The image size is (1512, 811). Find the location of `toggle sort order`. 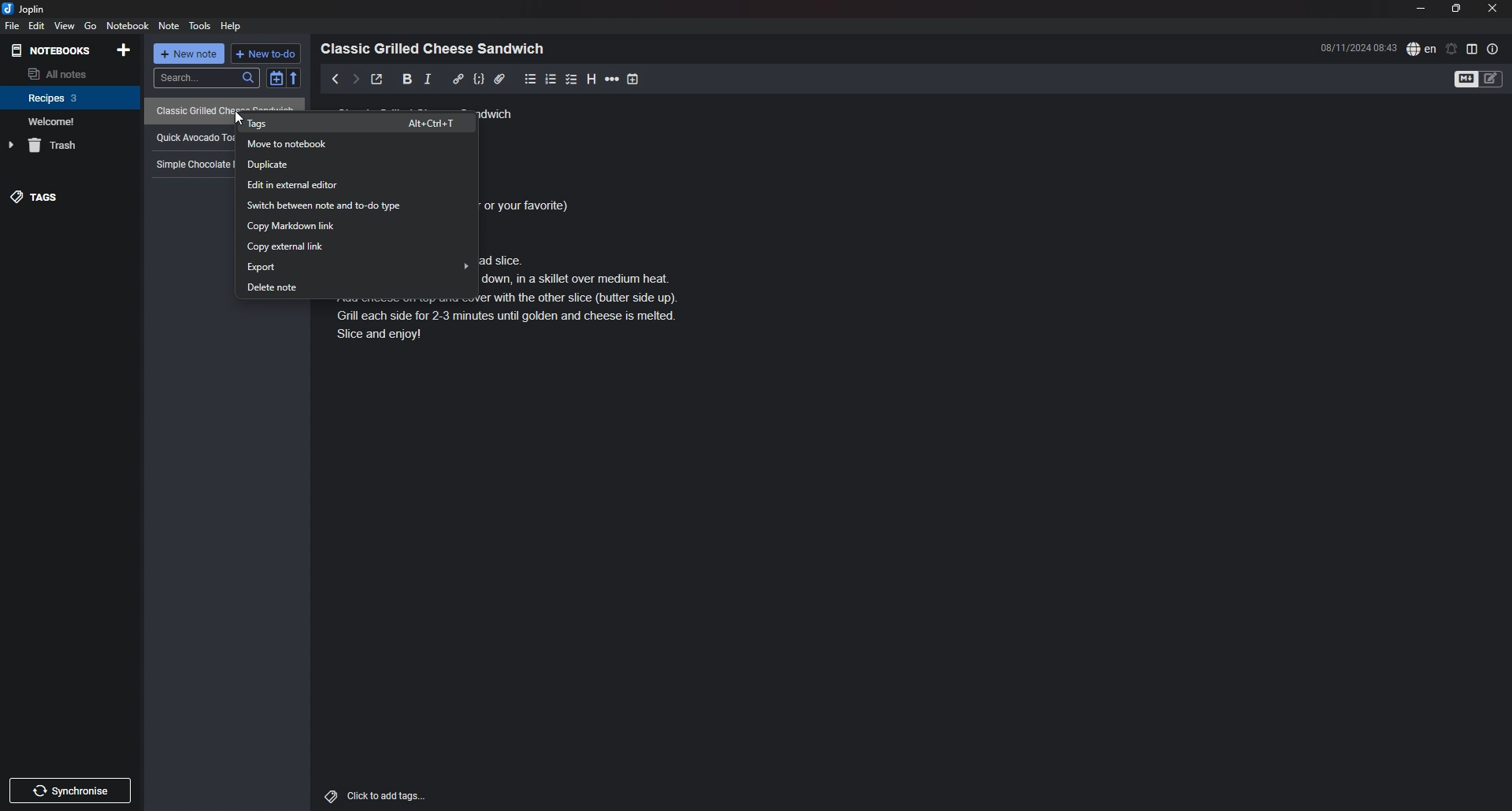

toggle sort order is located at coordinates (276, 78).